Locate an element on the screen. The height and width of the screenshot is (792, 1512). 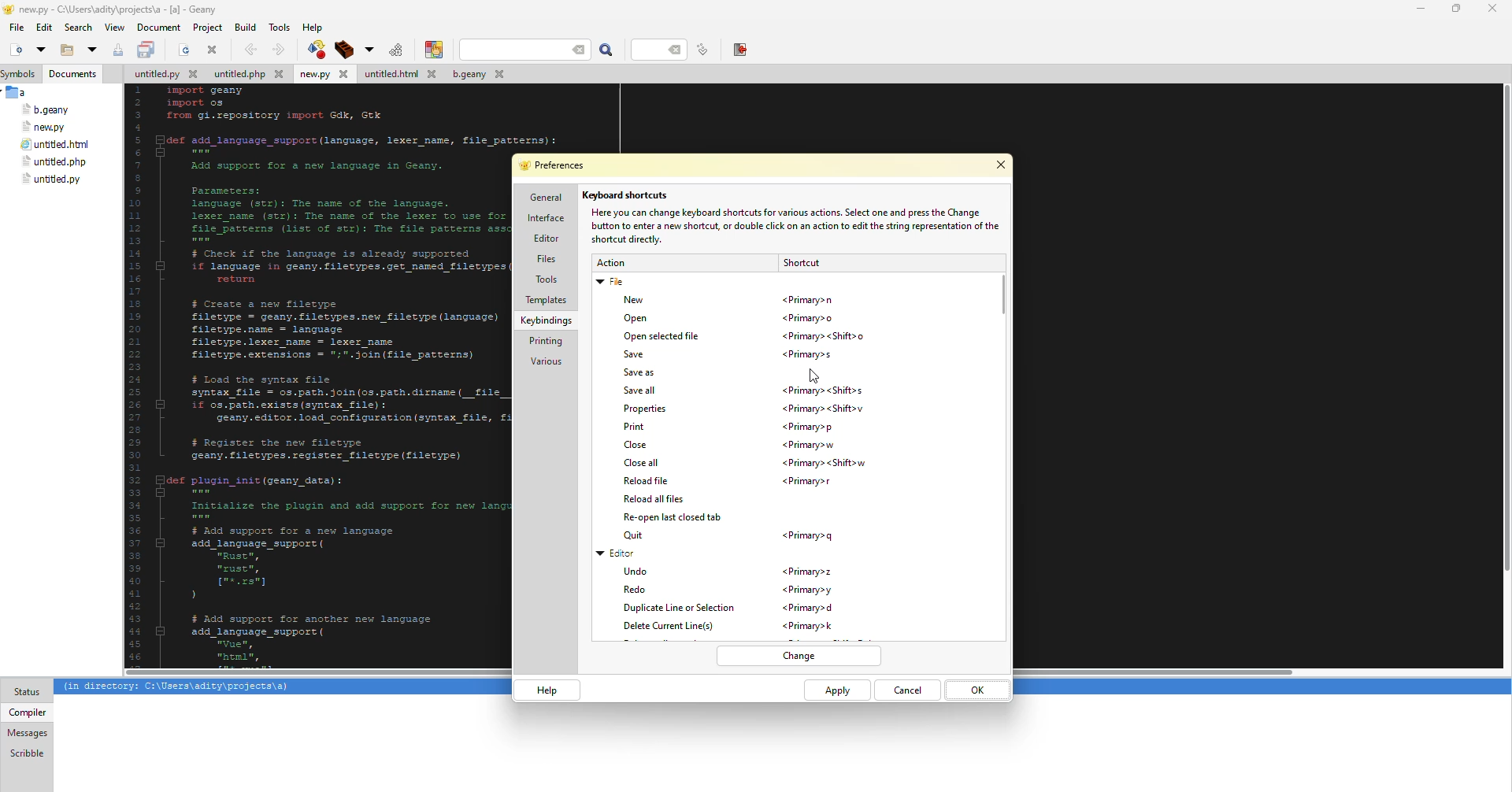
redo is located at coordinates (636, 590).